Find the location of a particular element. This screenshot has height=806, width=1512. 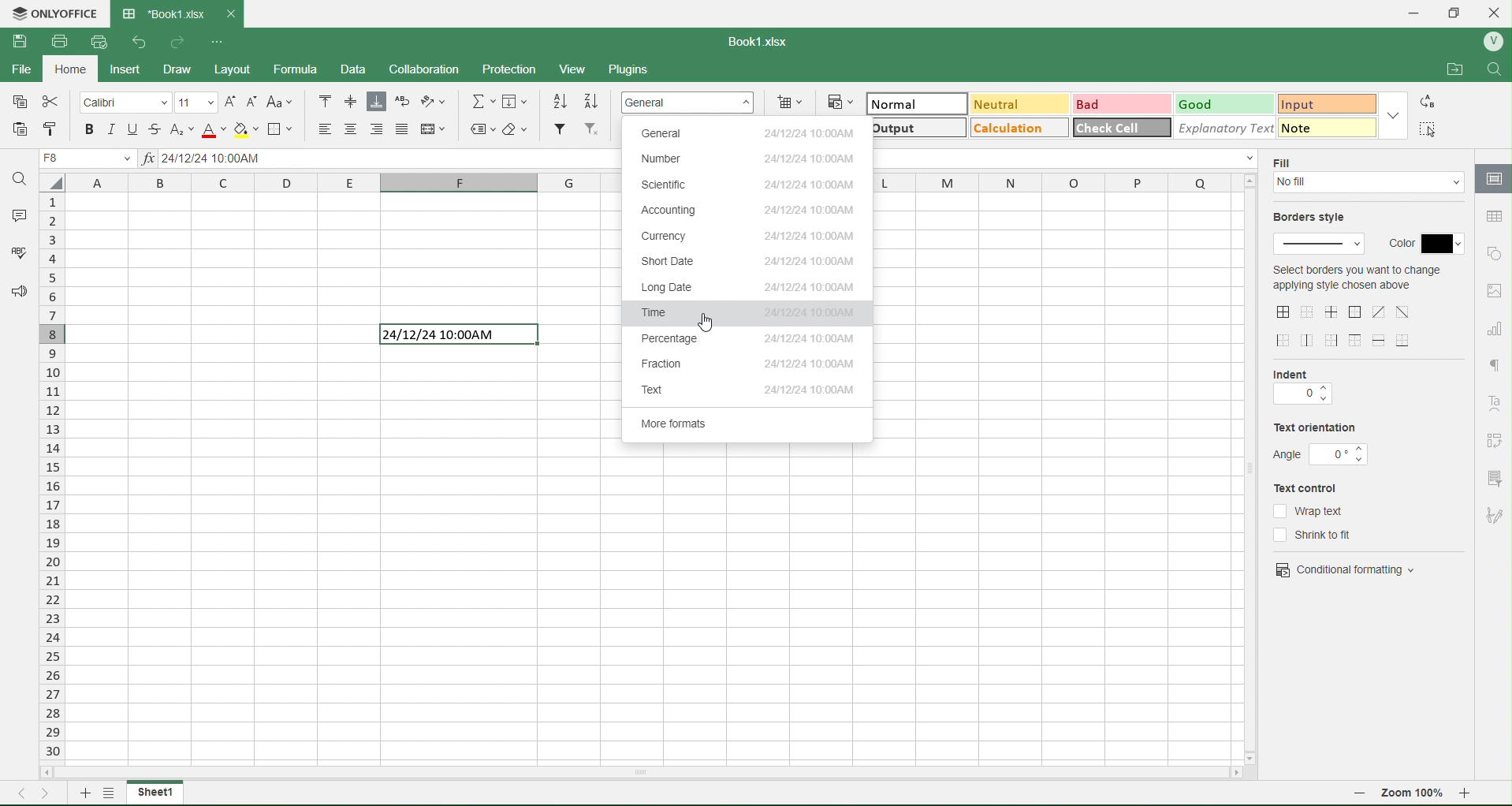

Layout is located at coordinates (244, 69).